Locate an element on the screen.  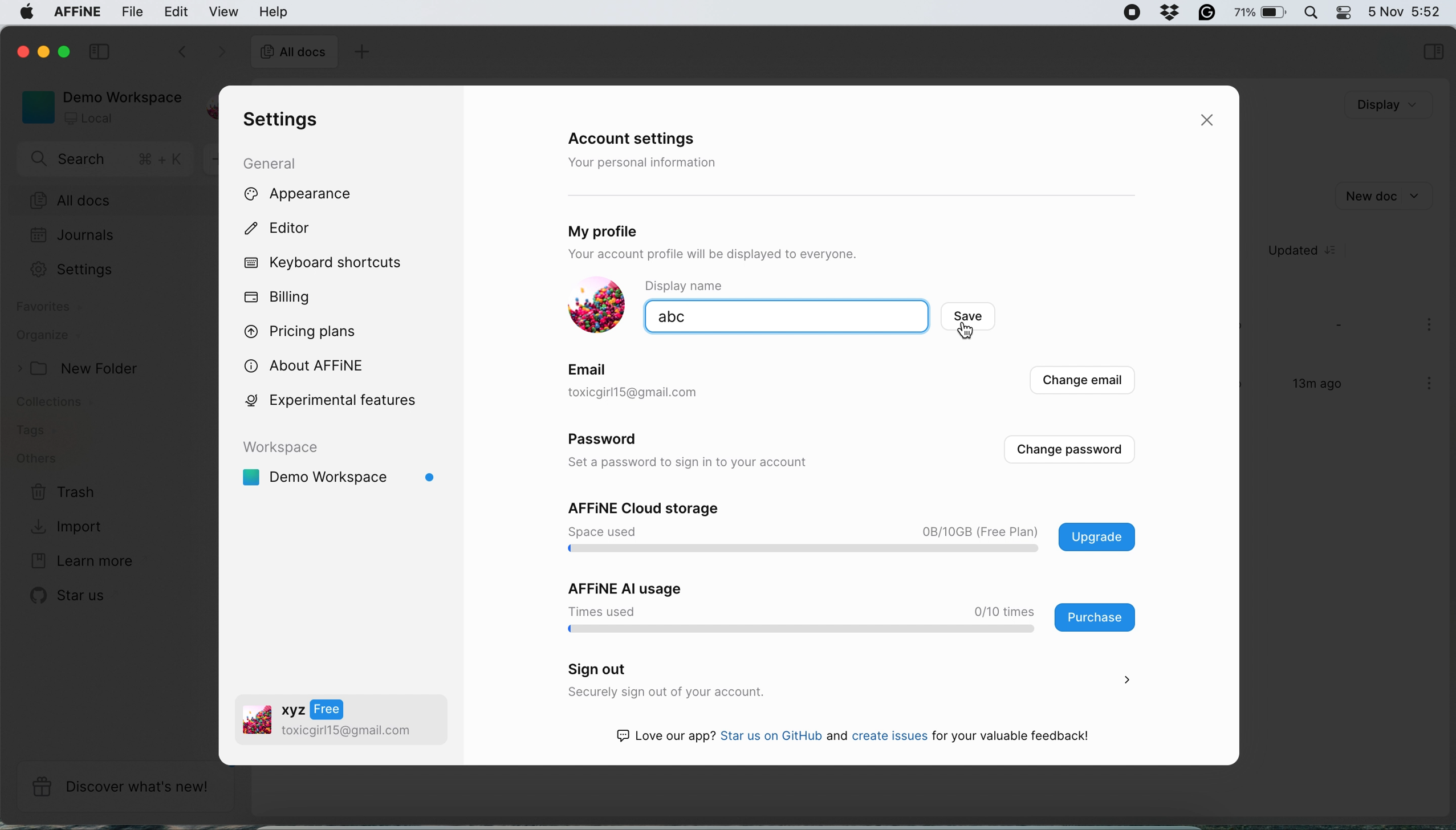
demo workspace is located at coordinates (344, 469).